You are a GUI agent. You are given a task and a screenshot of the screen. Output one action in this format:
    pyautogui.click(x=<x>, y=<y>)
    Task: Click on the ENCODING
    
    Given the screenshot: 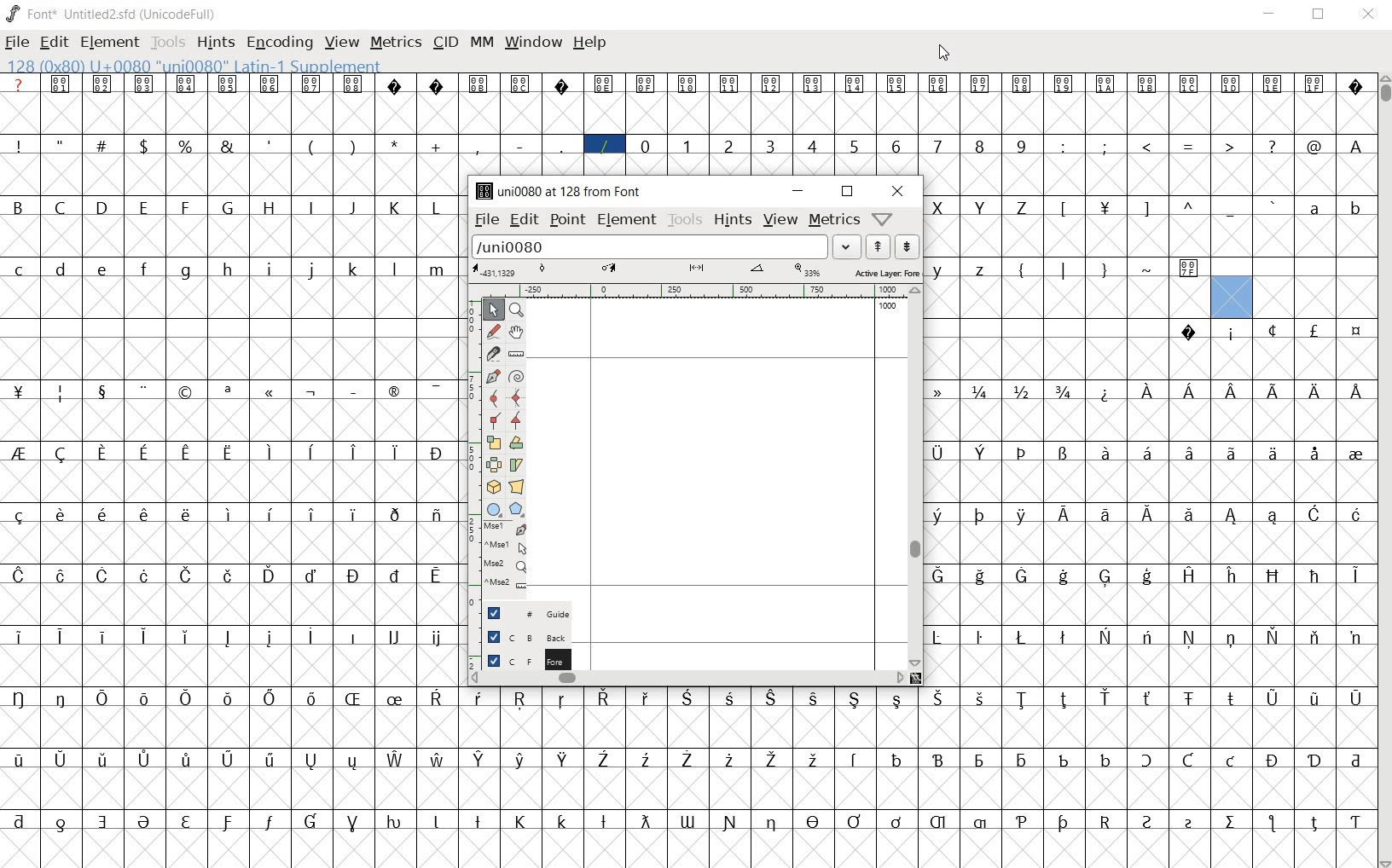 What is the action you would take?
    pyautogui.click(x=278, y=42)
    